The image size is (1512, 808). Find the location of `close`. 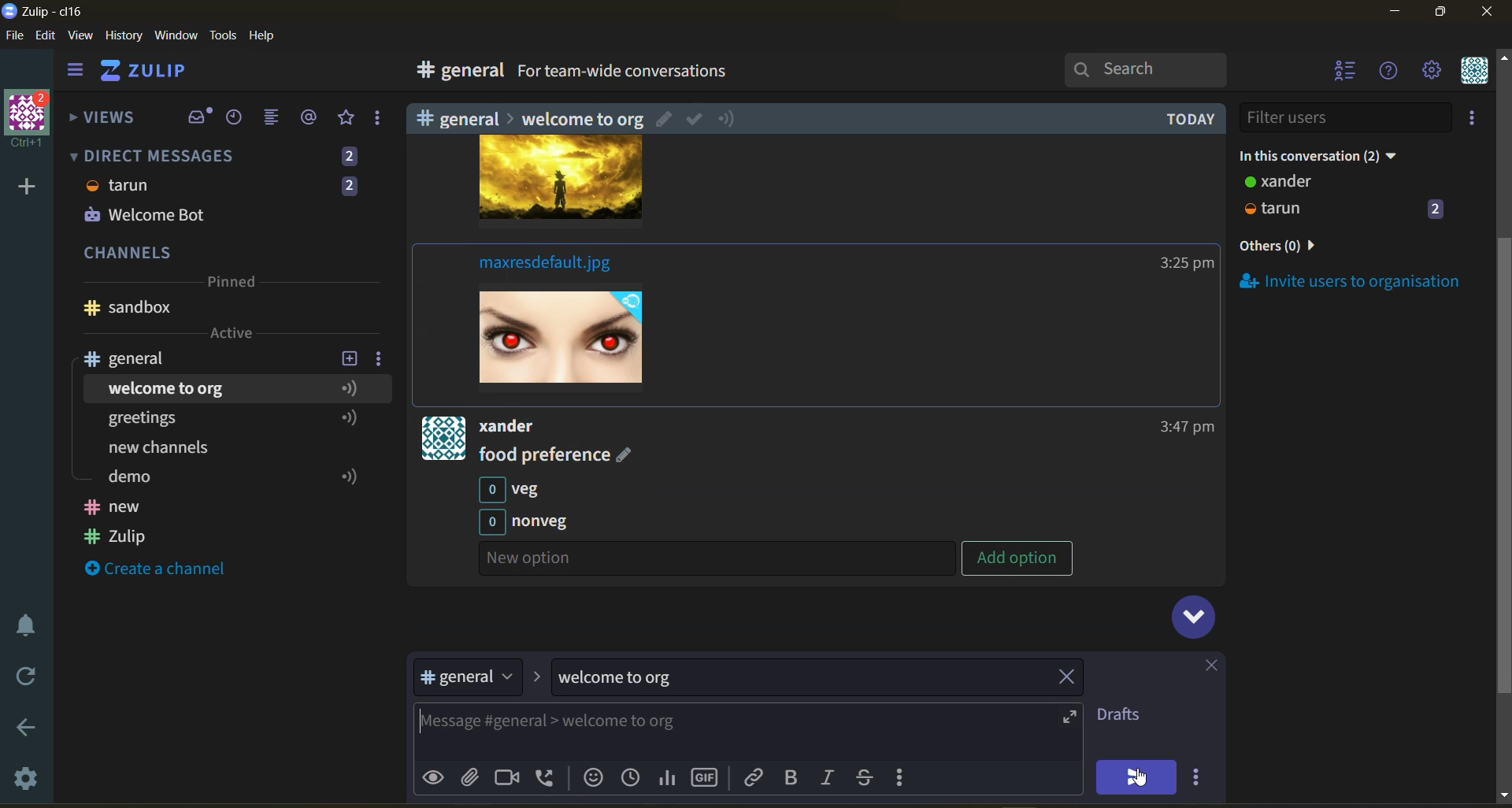

close is located at coordinates (1212, 666).